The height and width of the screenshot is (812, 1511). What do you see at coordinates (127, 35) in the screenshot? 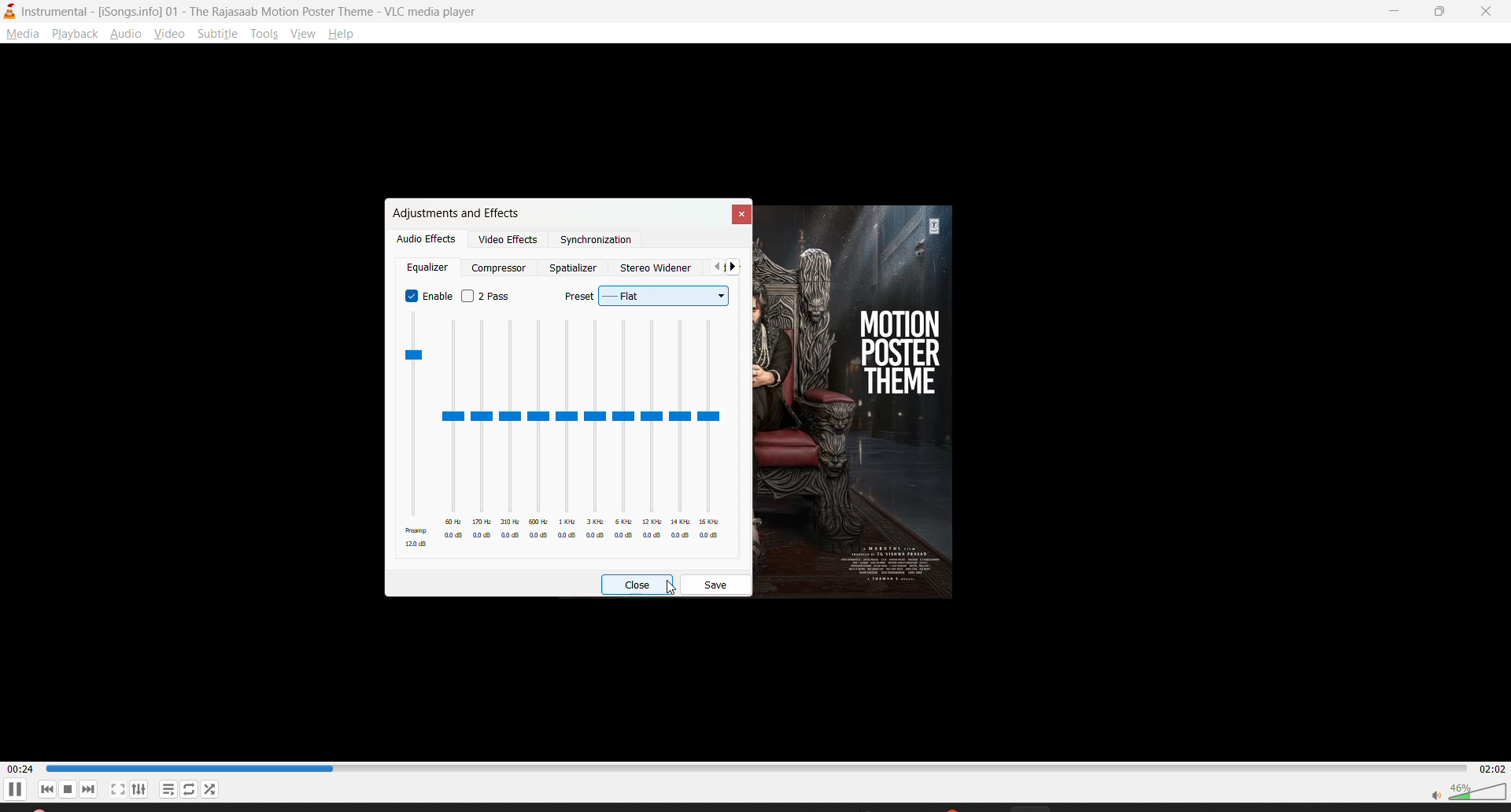
I see `audio` at bounding box center [127, 35].